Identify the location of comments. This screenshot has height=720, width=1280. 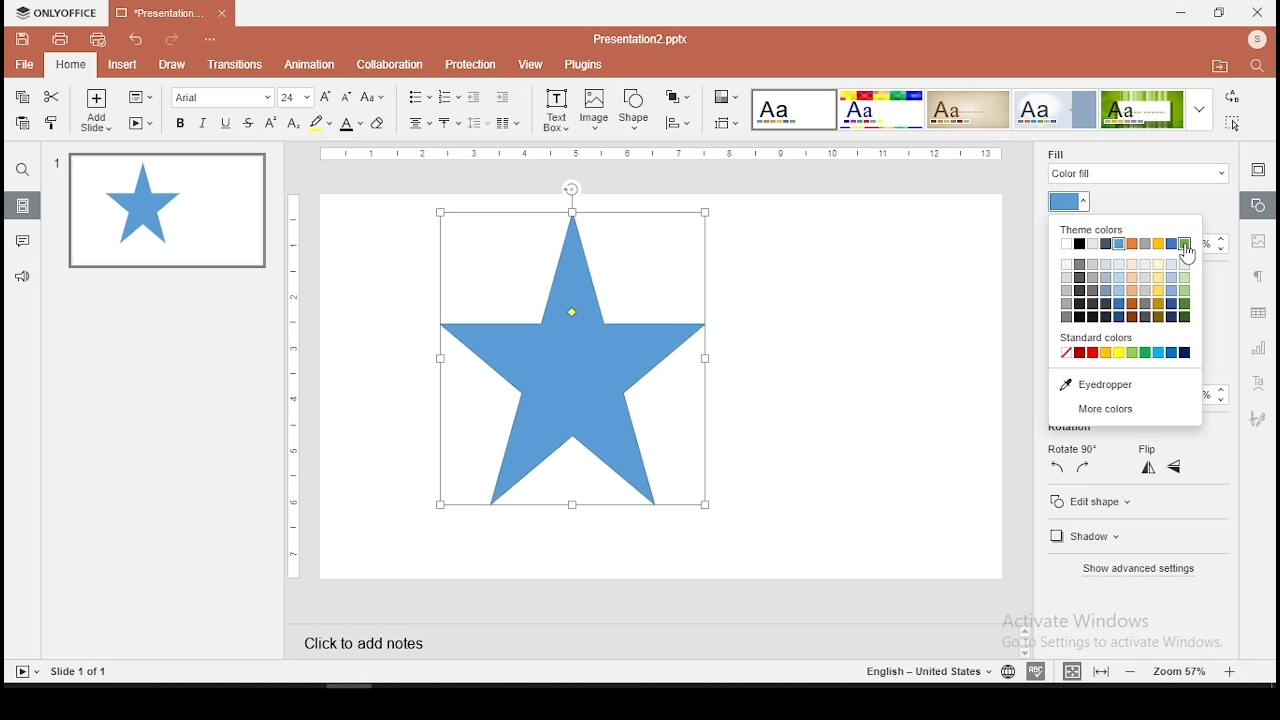
(22, 241).